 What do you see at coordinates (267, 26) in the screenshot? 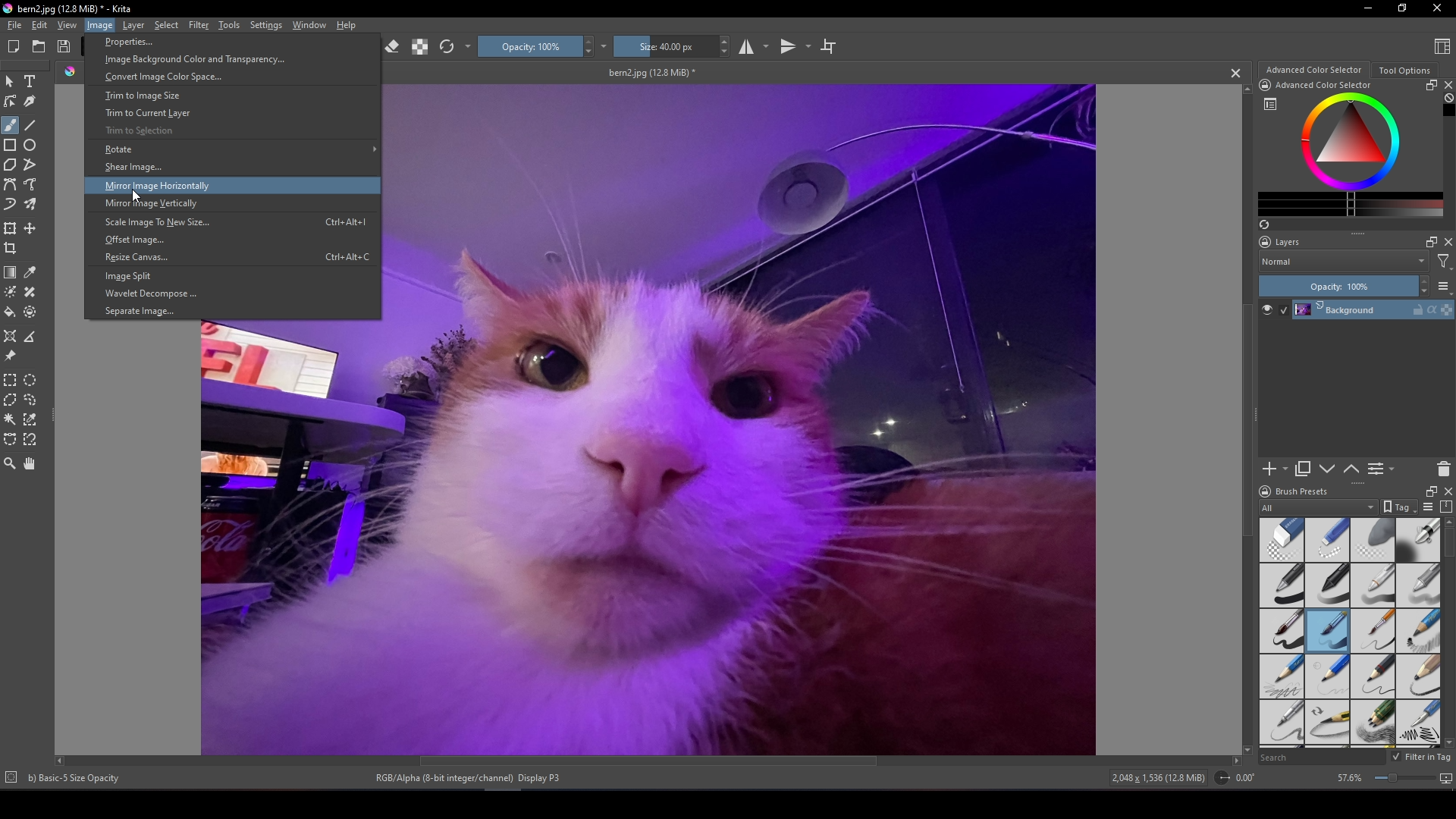
I see `Settings` at bounding box center [267, 26].